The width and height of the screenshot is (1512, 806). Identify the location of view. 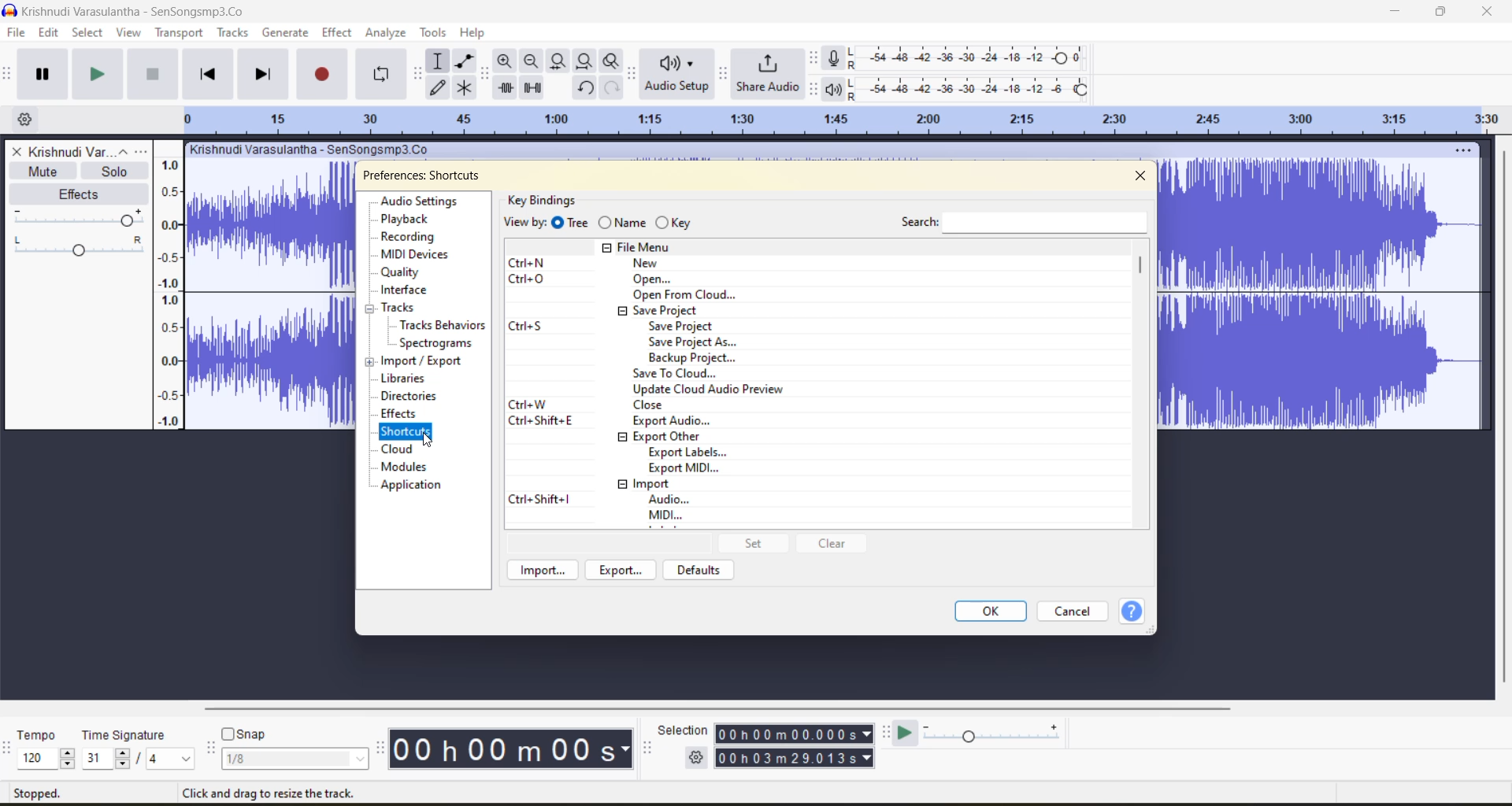
(131, 34).